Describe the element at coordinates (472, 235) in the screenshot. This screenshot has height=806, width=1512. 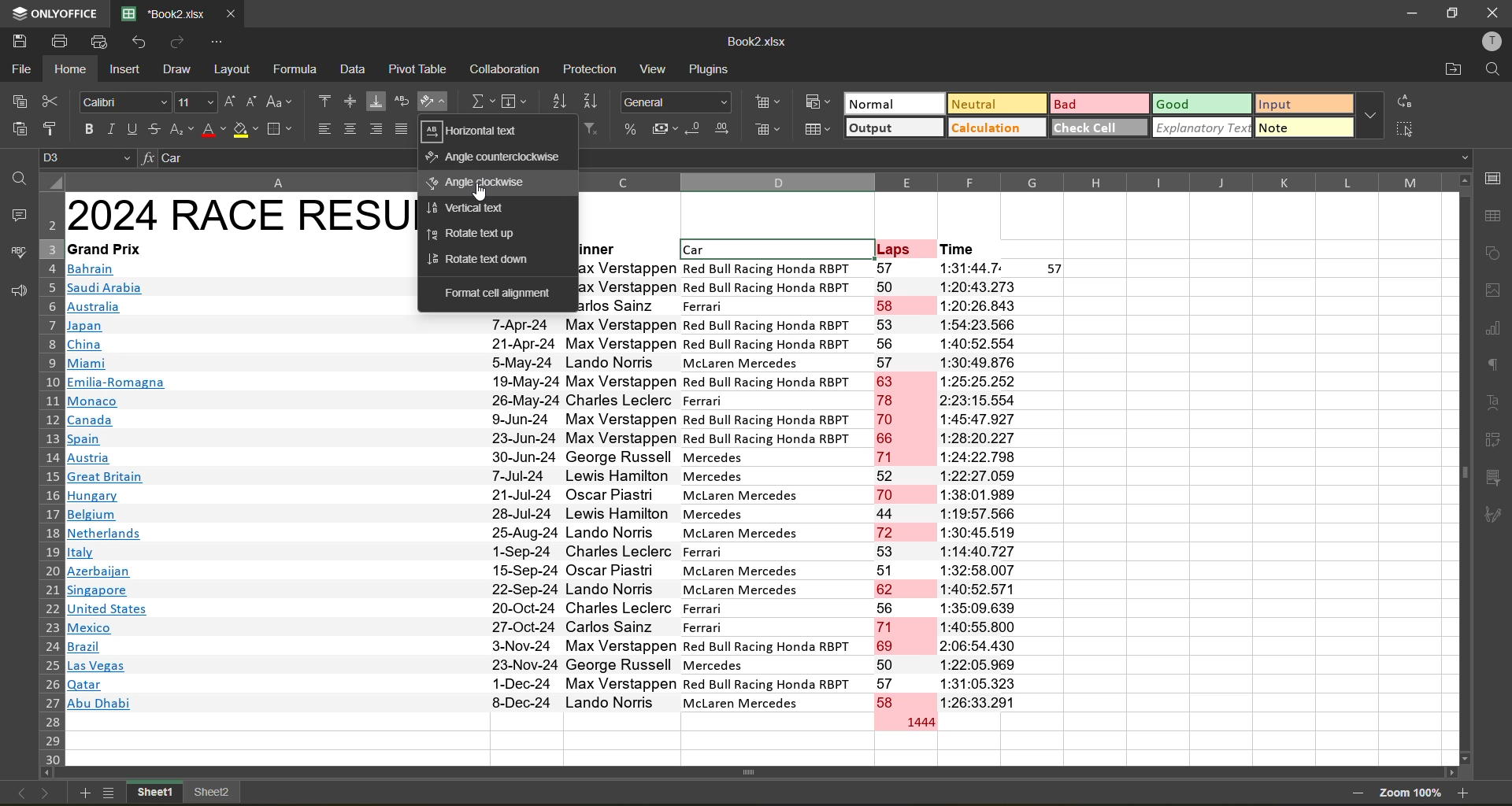
I see `rotate text up` at that location.